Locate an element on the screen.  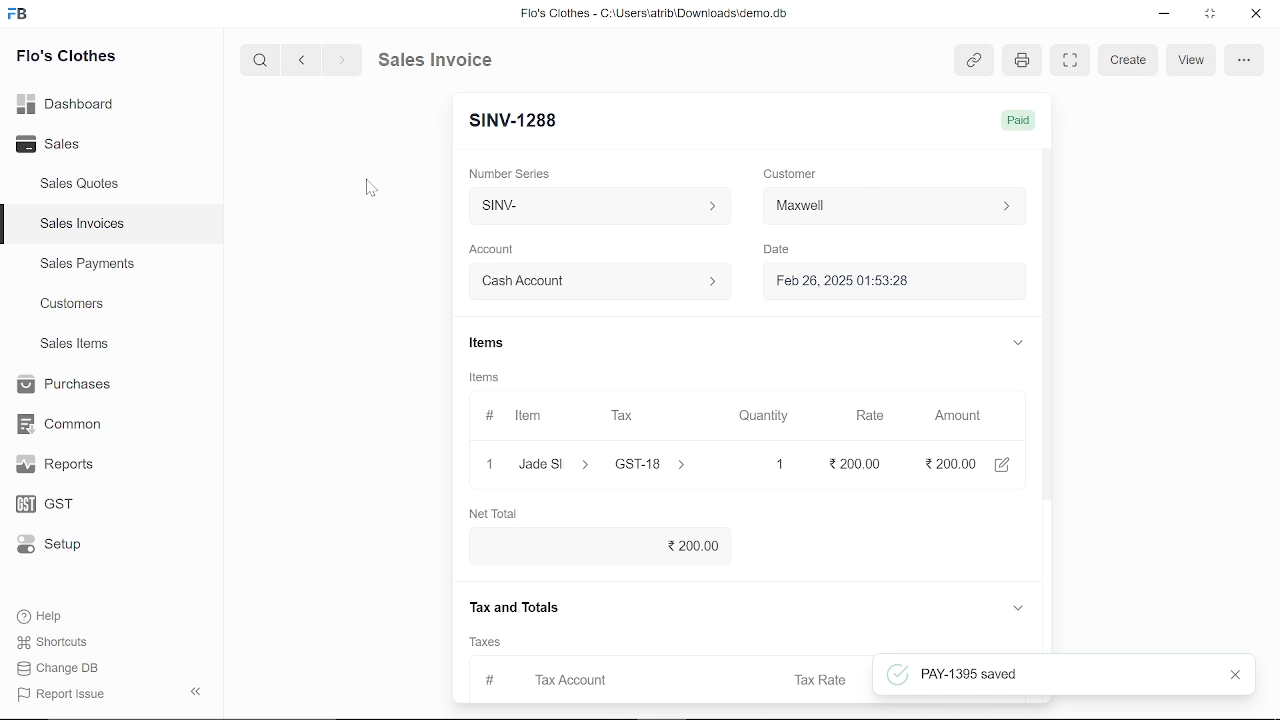
Customers. is located at coordinates (73, 304).